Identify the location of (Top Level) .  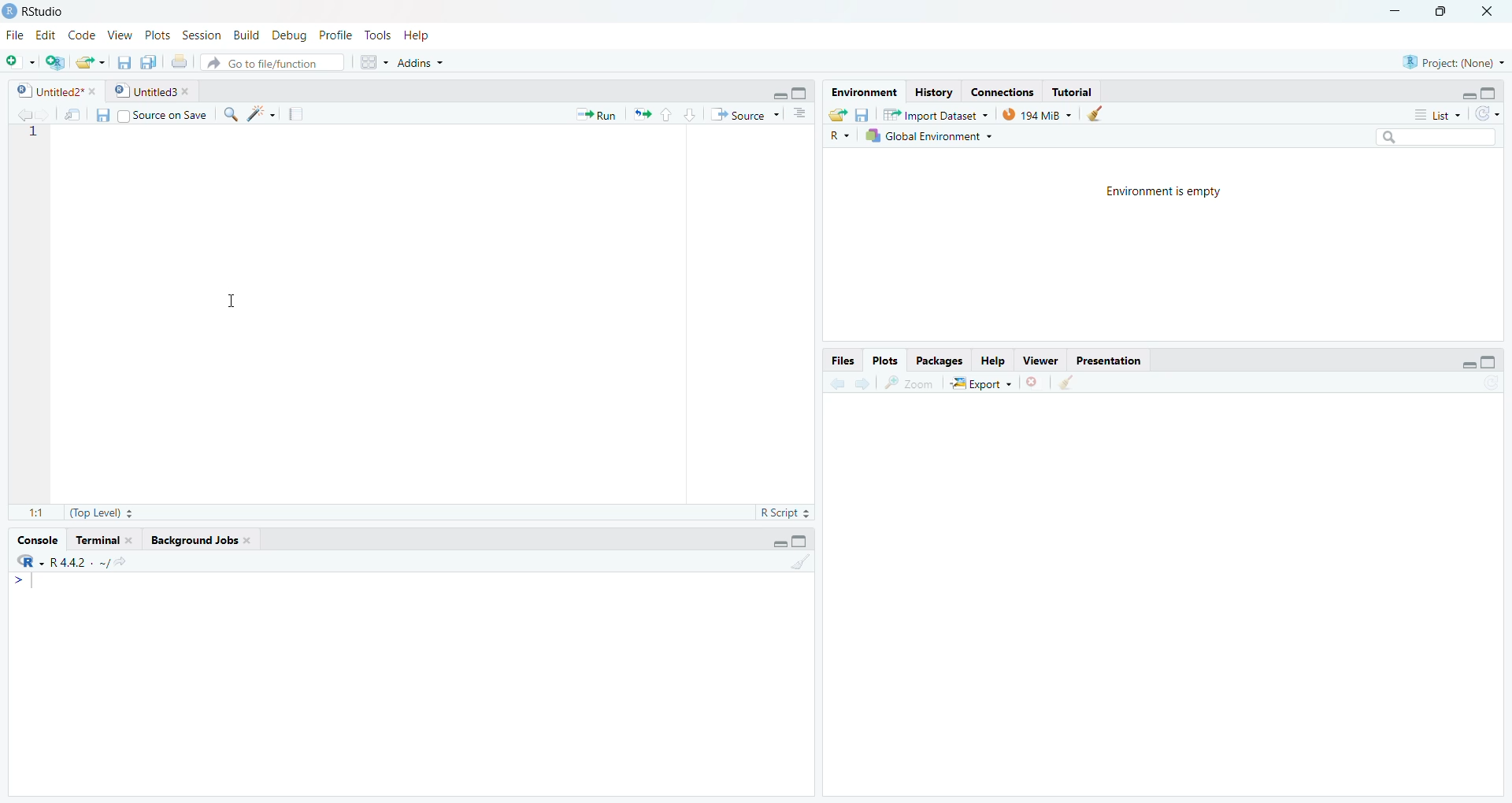
(103, 513).